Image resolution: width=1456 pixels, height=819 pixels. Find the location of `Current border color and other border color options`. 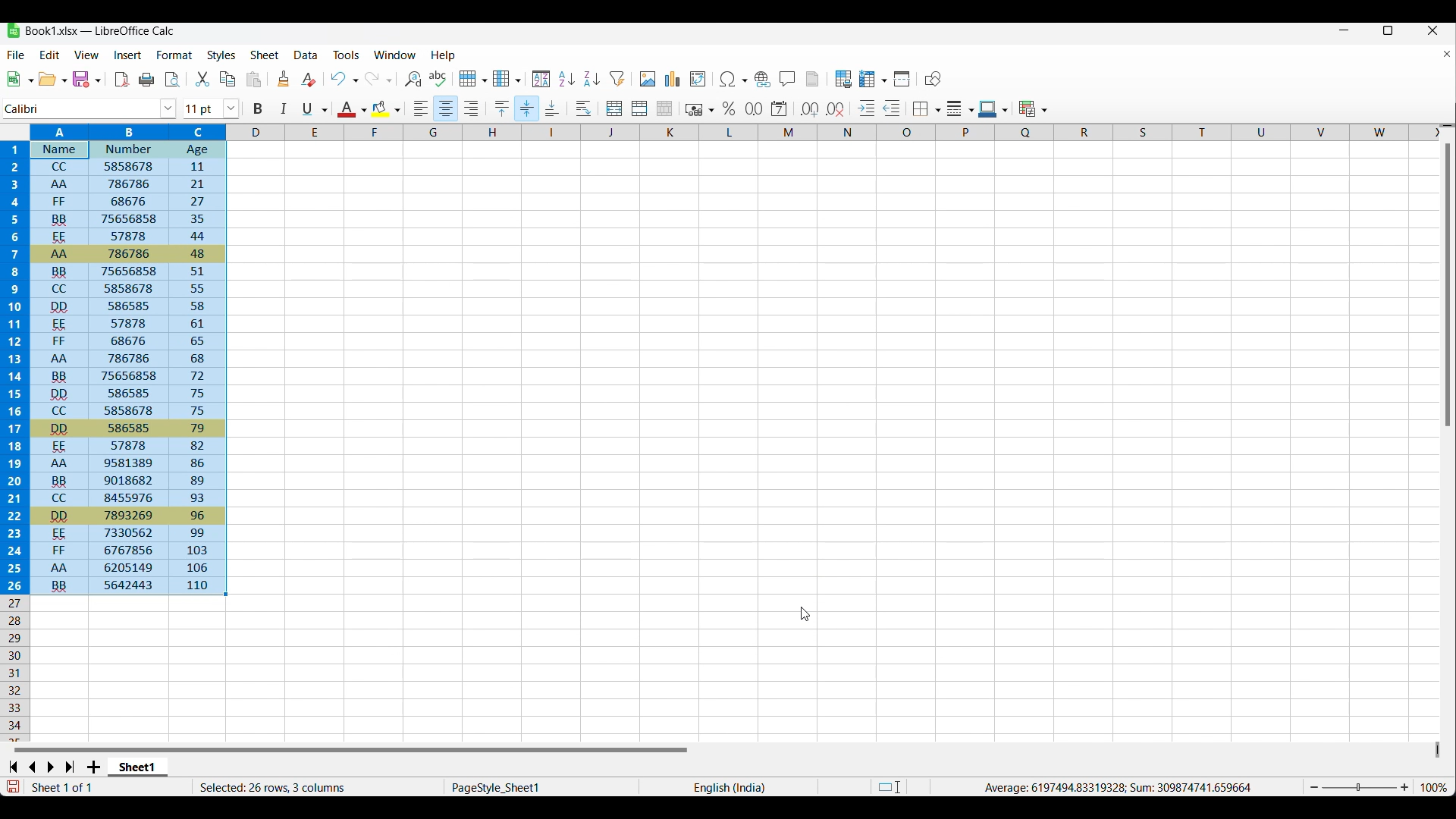

Current border color and other border color options is located at coordinates (993, 109).